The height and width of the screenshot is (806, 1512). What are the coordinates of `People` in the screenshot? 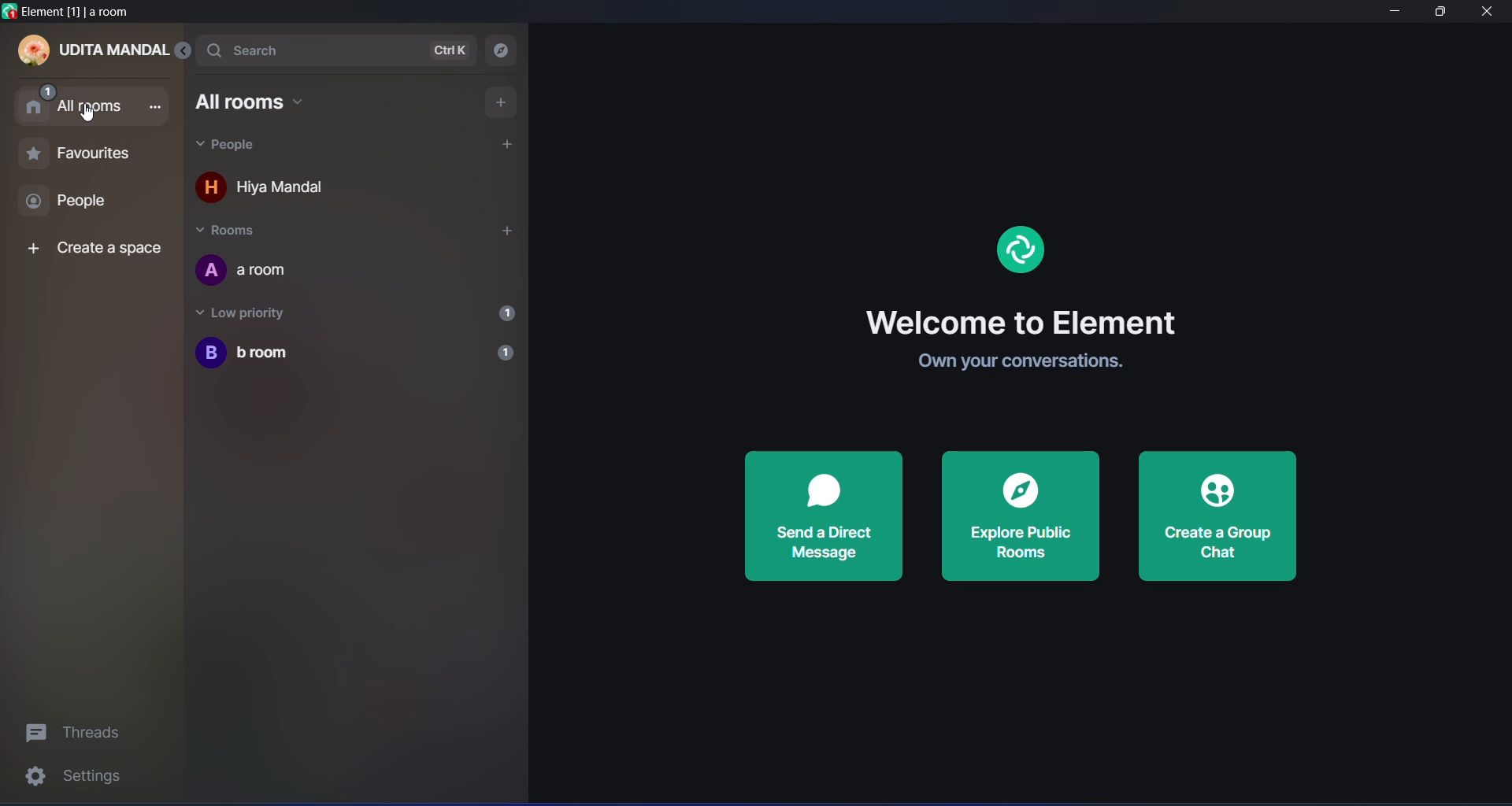 It's located at (232, 146).